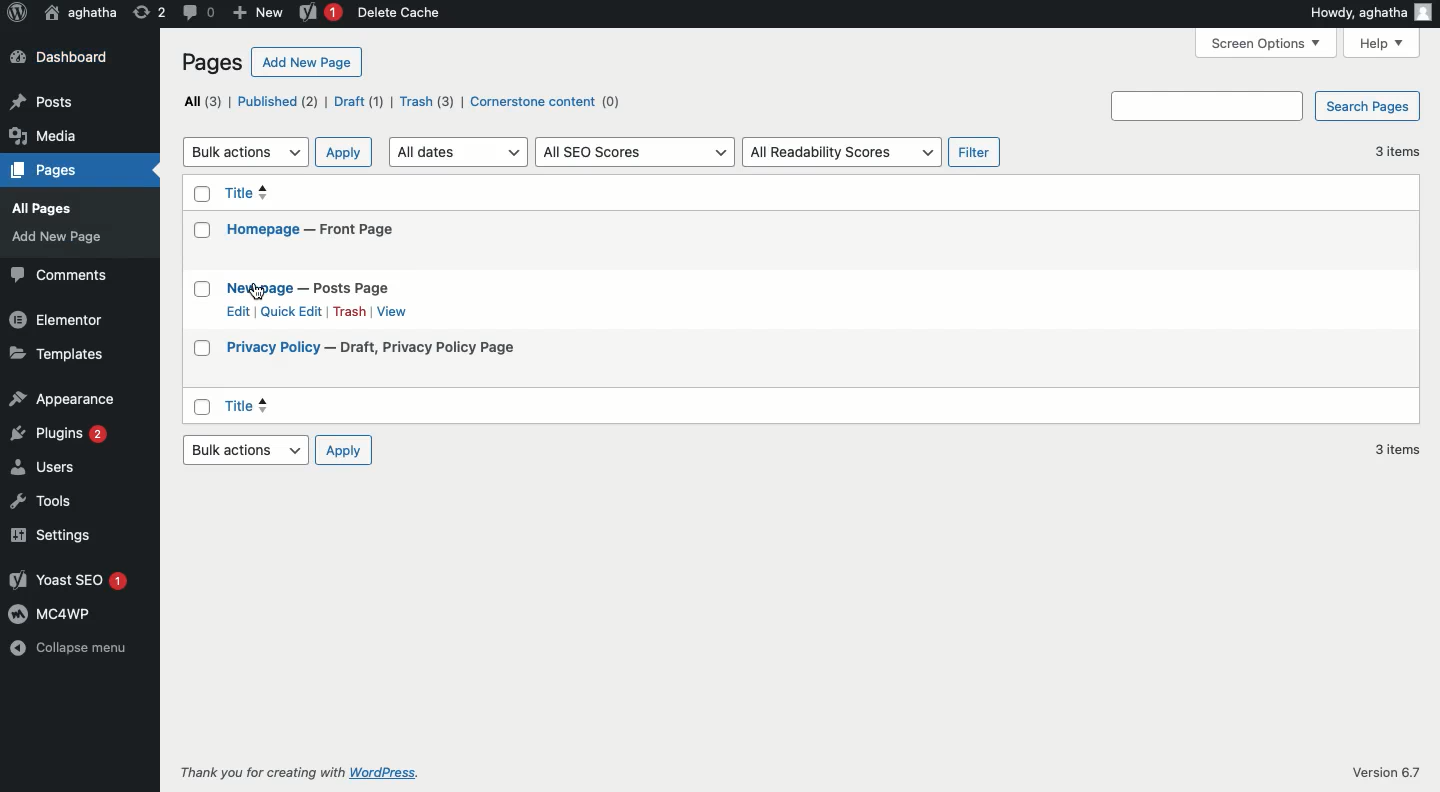 The width and height of the screenshot is (1440, 792). What do you see at coordinates (1385, 771) in the screenshot?
I see `Version 6.7` at bounding box center [1385, 771].